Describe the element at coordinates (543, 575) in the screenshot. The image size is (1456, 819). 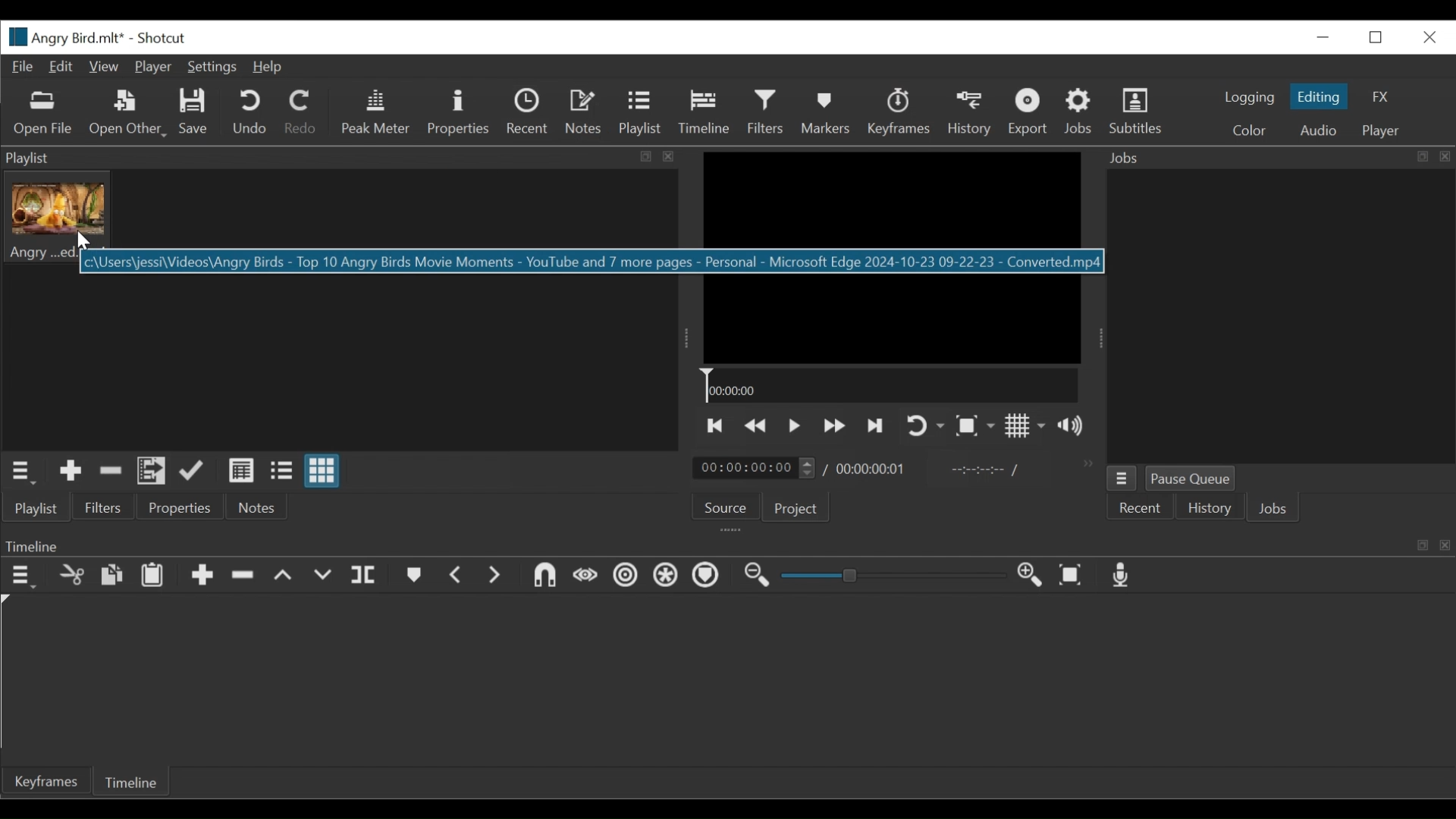
I see `Snap` at that location.